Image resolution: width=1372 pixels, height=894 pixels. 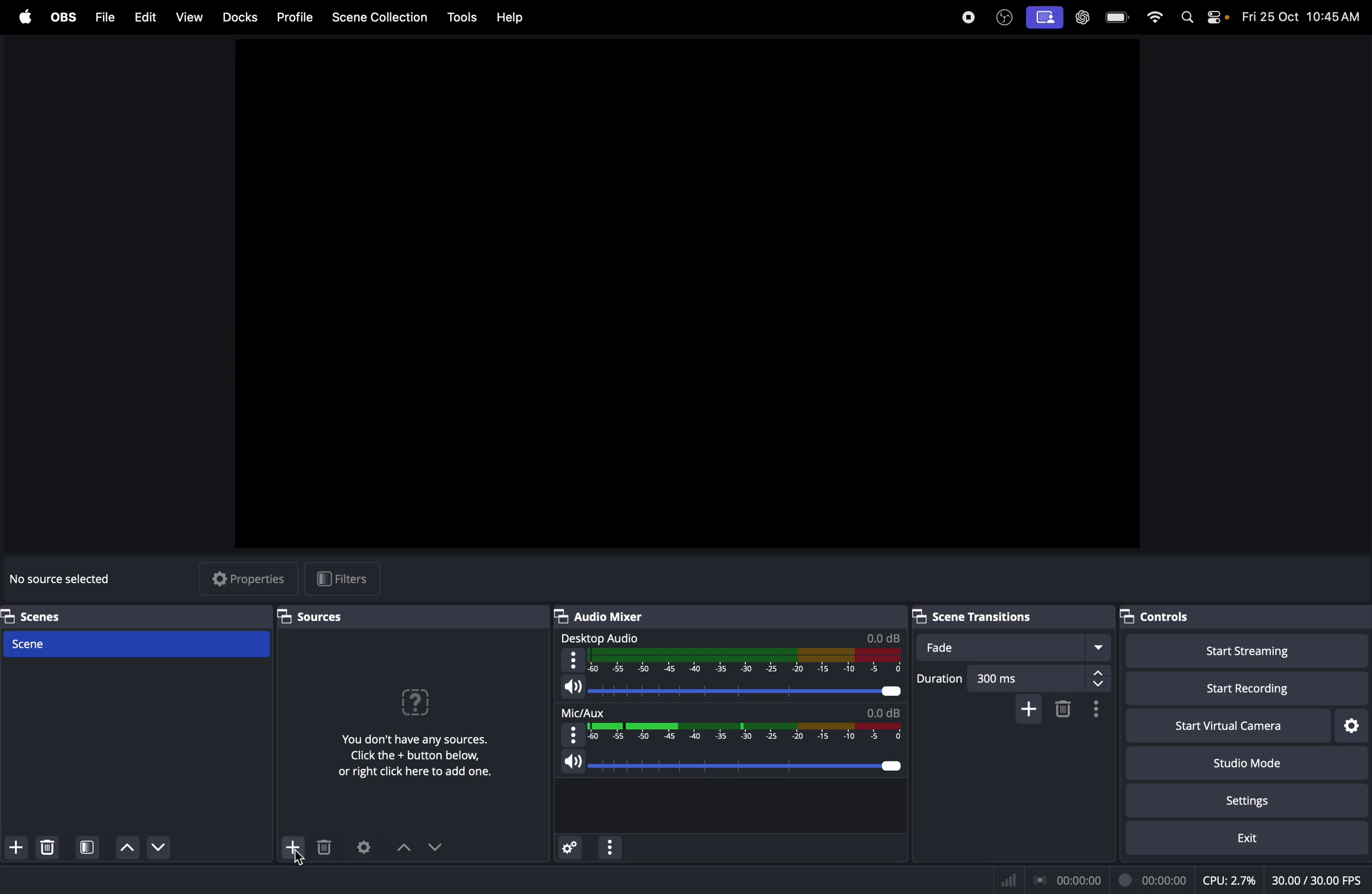 What do you see at coordinates (1219, 17) in the screenshot?
I see `apple widgets` at bounding box center [1219, 17].